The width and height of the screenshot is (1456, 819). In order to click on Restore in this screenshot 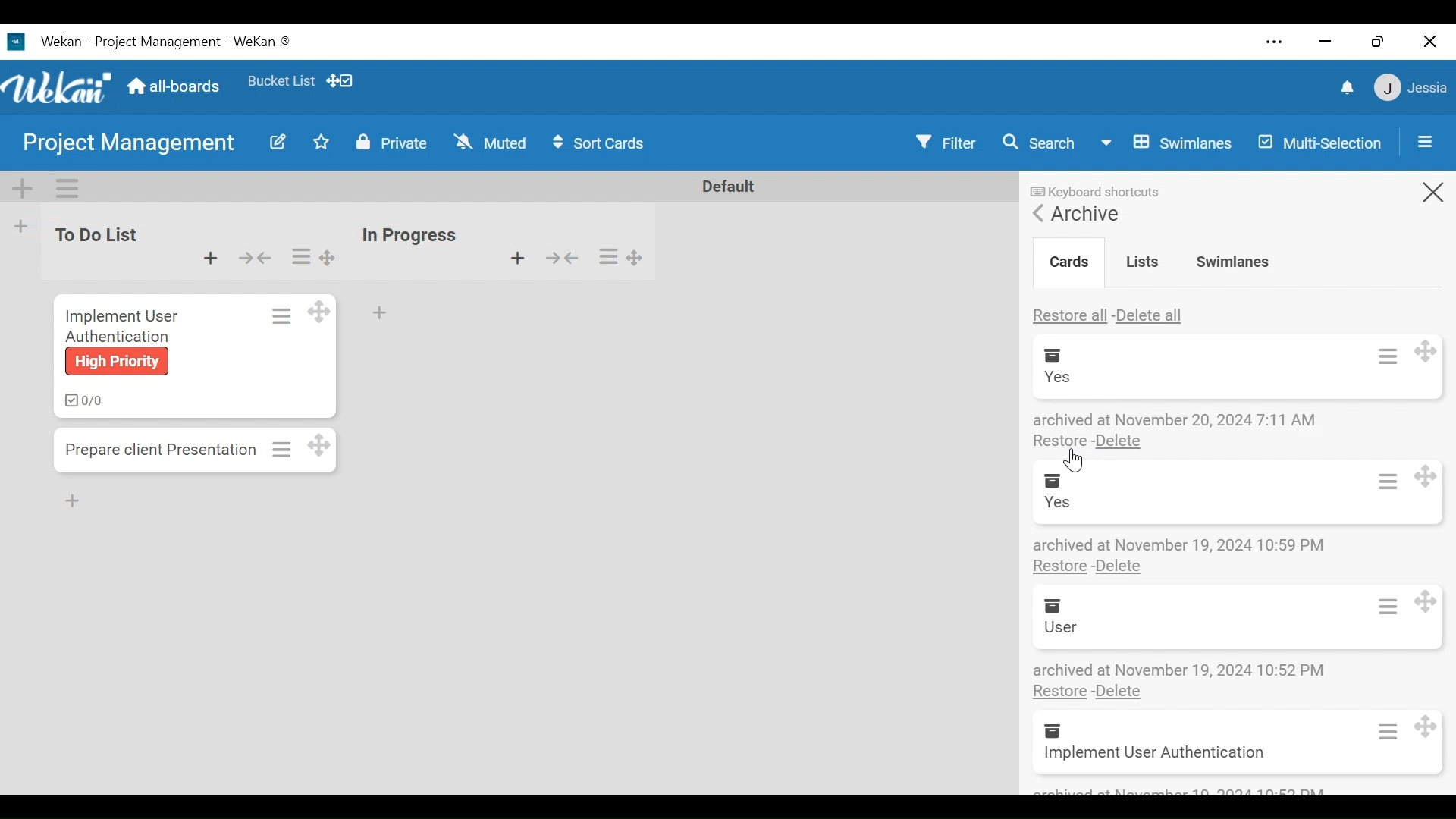, I will do `click(1059, 692)`.